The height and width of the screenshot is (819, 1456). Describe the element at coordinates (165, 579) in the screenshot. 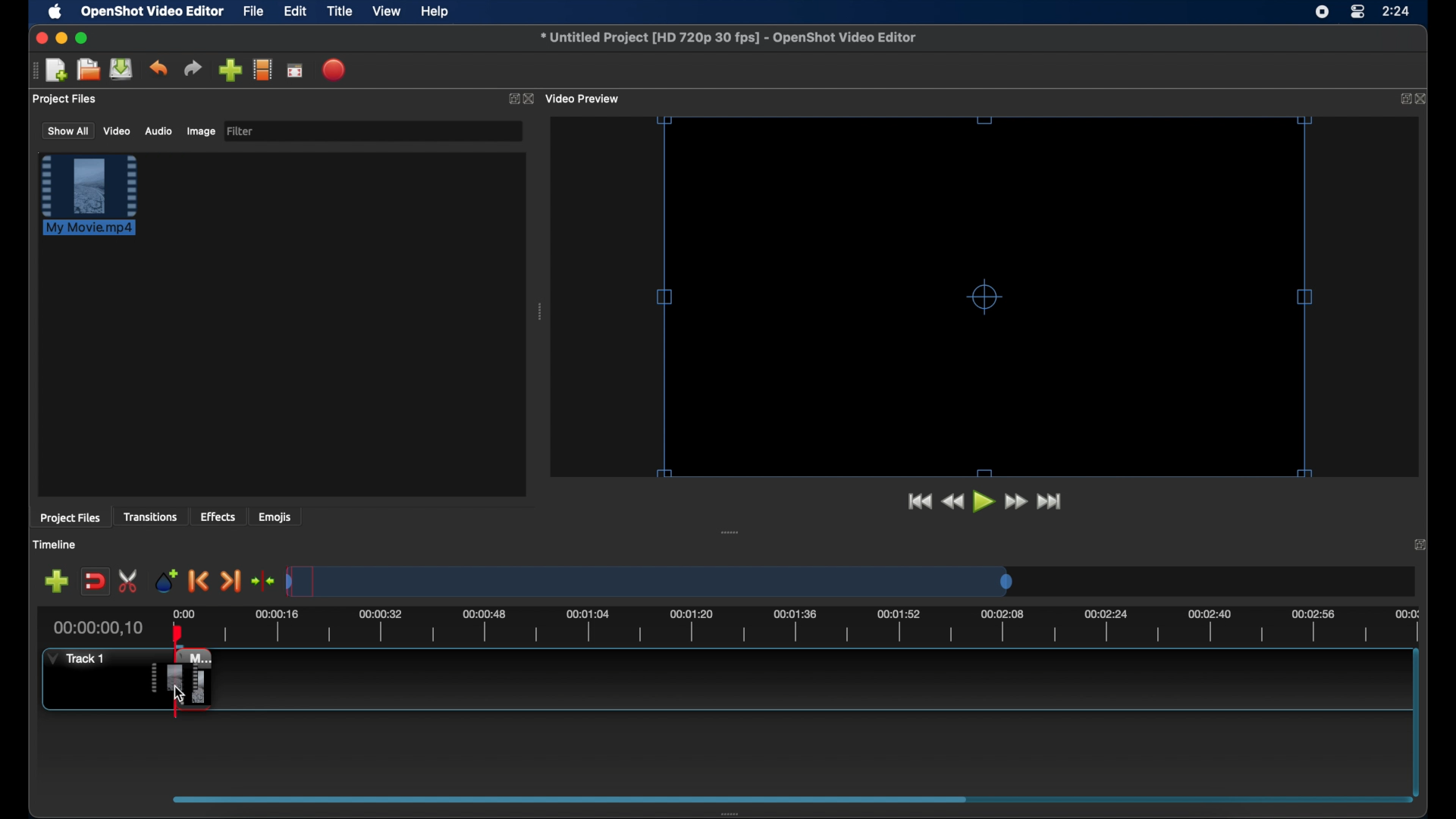

I see `add marker` at that location.